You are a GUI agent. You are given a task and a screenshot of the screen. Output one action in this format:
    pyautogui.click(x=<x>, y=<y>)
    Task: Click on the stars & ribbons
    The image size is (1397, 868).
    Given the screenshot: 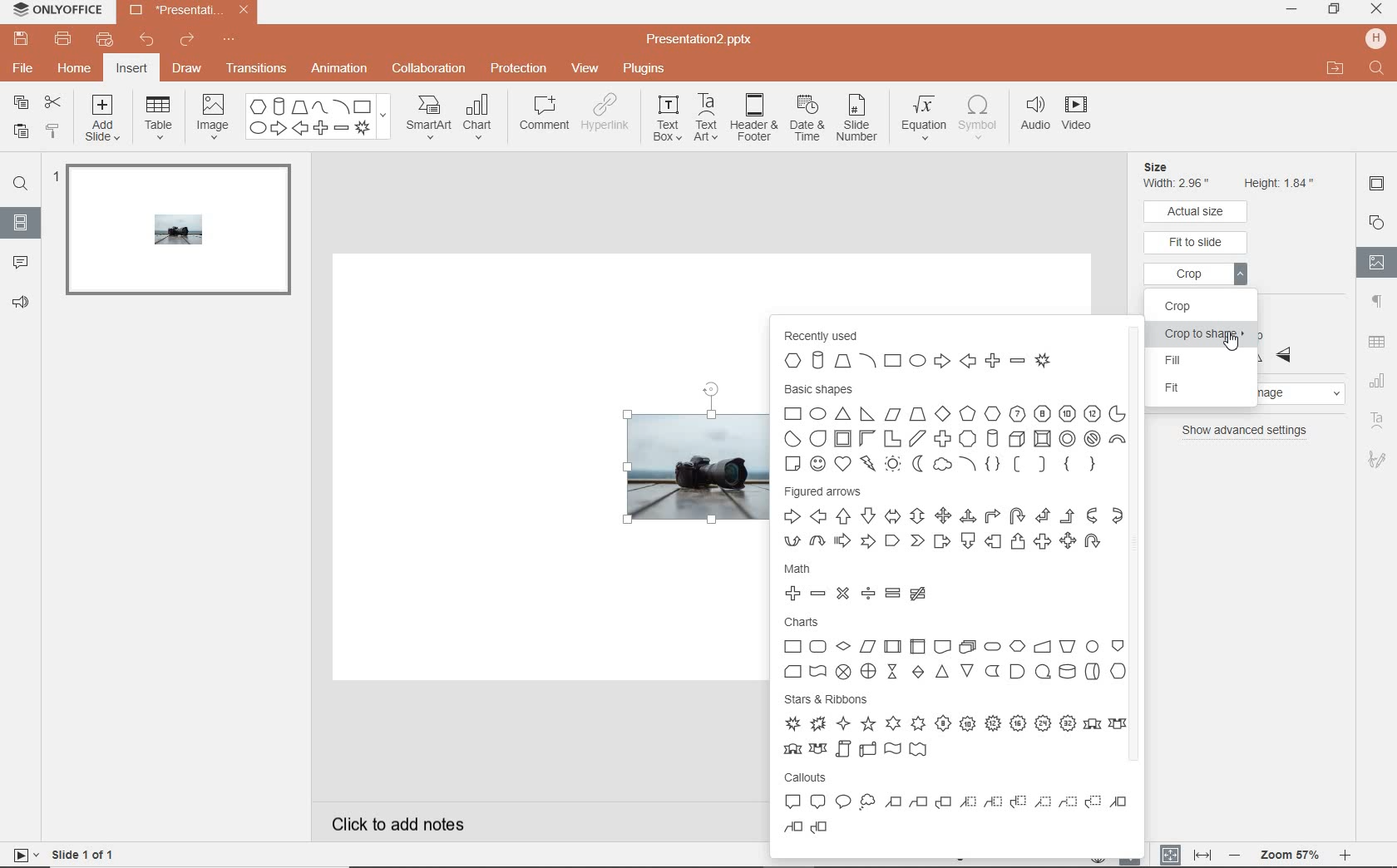 What is the action you would take?
    pyautogui.click(x=954, y=726)
    